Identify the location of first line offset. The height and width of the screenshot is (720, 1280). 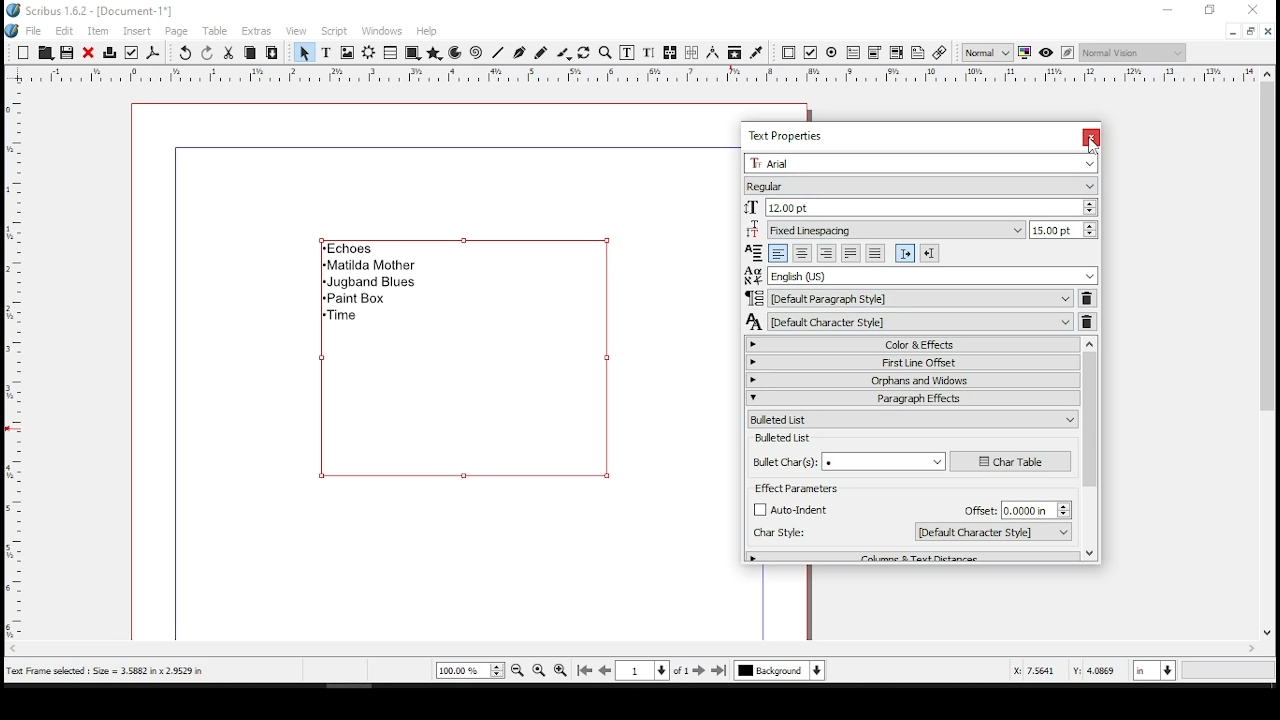
(922, 362).